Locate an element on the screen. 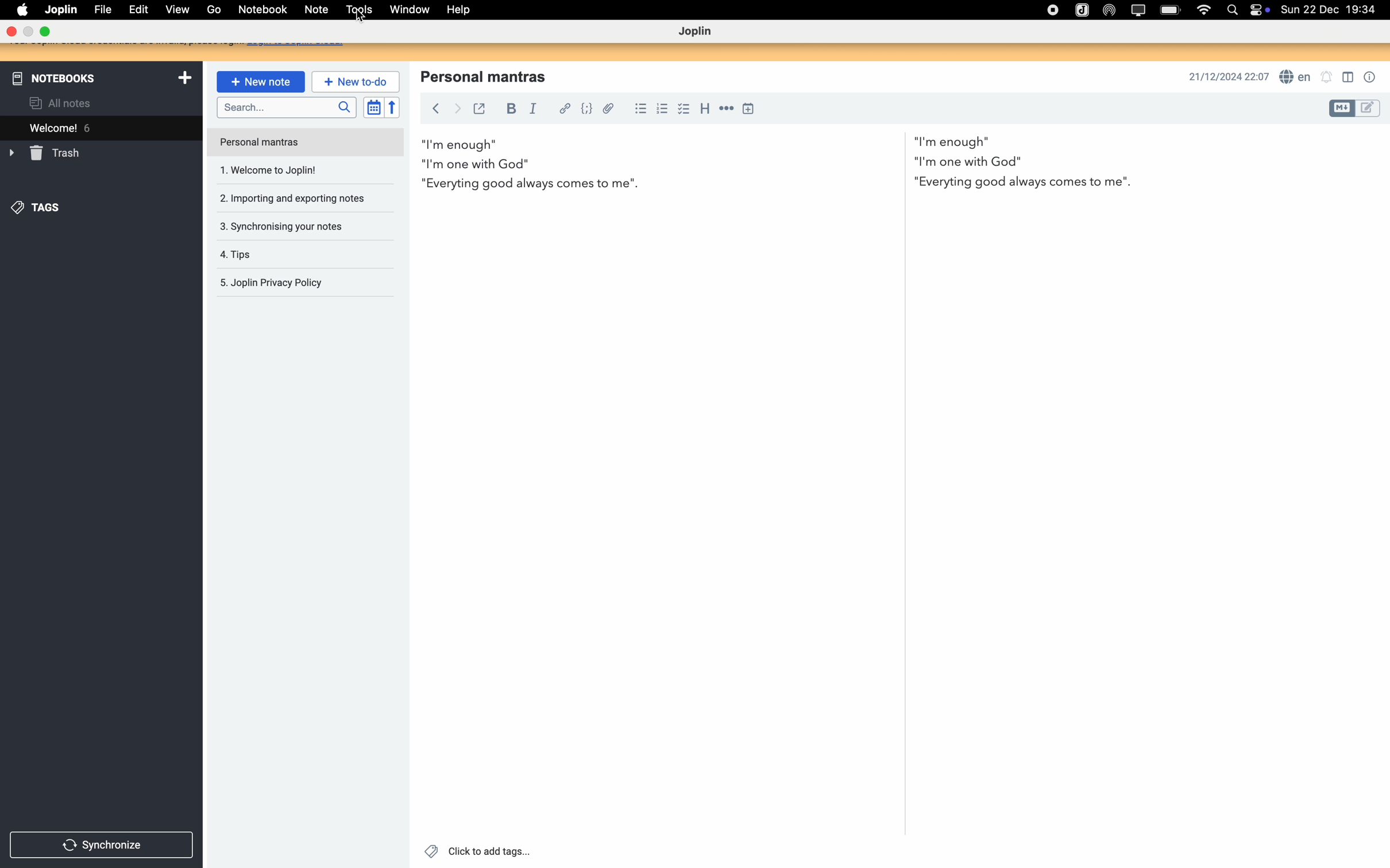 The width and height of the screenshot is (1390, 868). checkbox is located at coordinates (683, 110).